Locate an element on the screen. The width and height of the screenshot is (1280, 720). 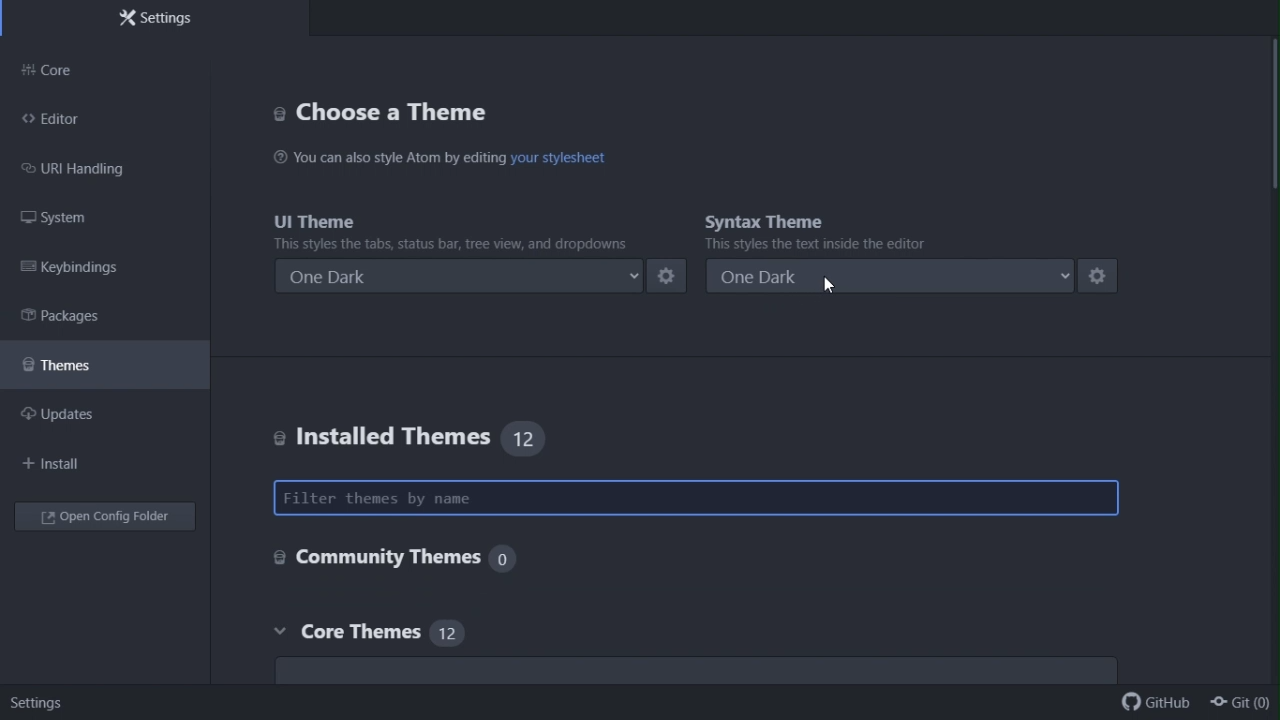
Key binding is located at coordinates (75, 269).